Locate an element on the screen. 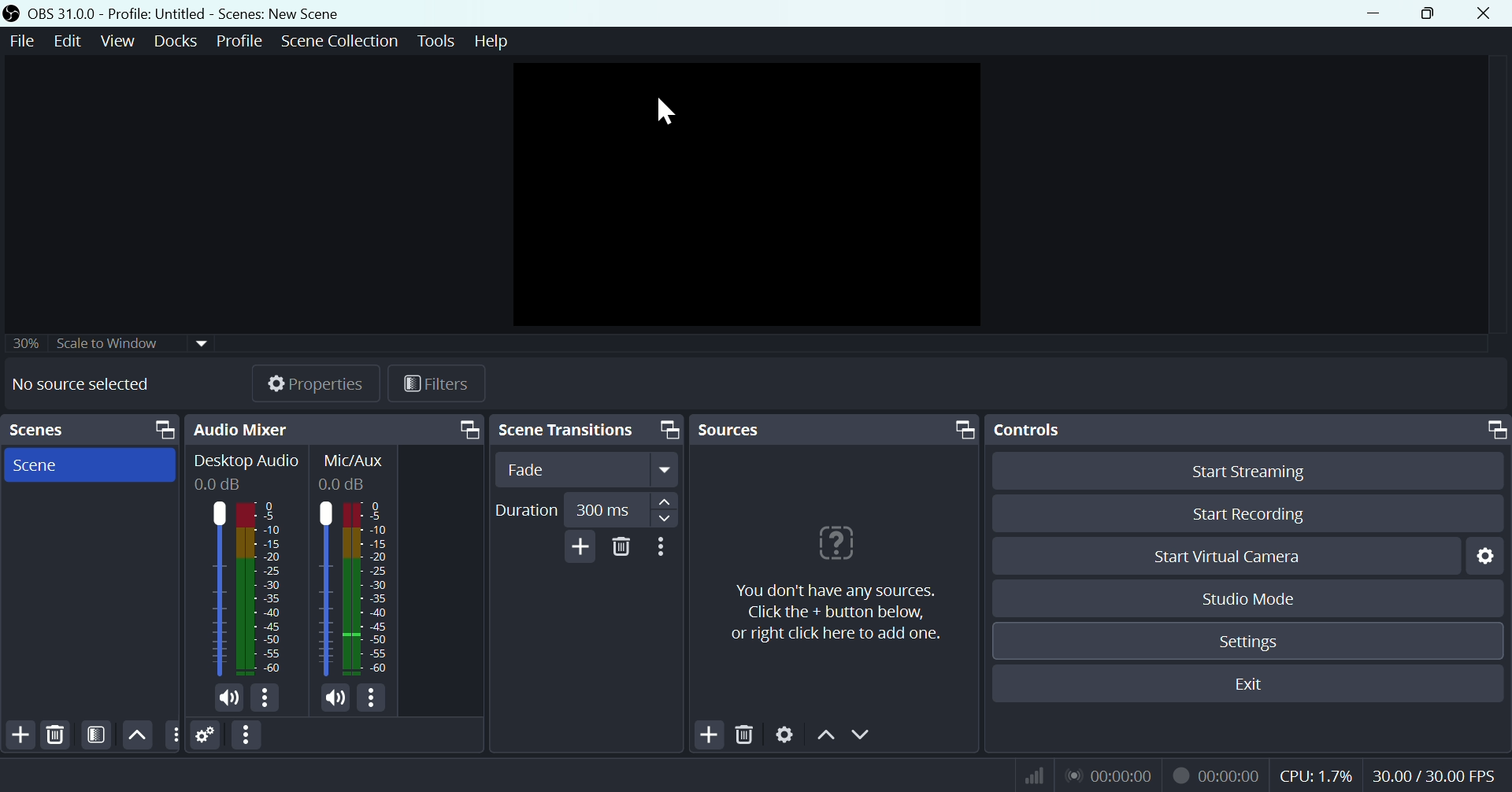 The image size is (1512, 792). More options is located at coordinates (250, 735).